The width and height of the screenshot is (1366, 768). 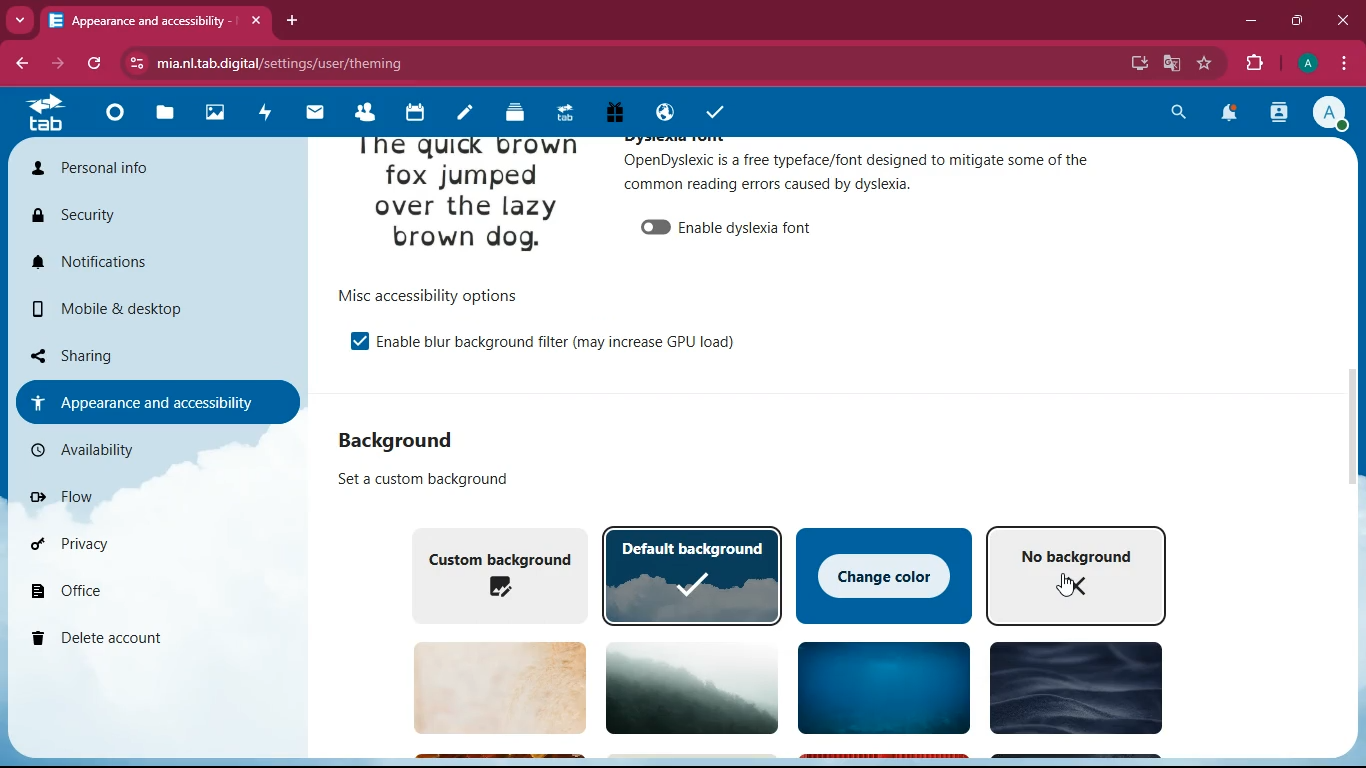 I want to click on notes, so click(x=458, y=114).